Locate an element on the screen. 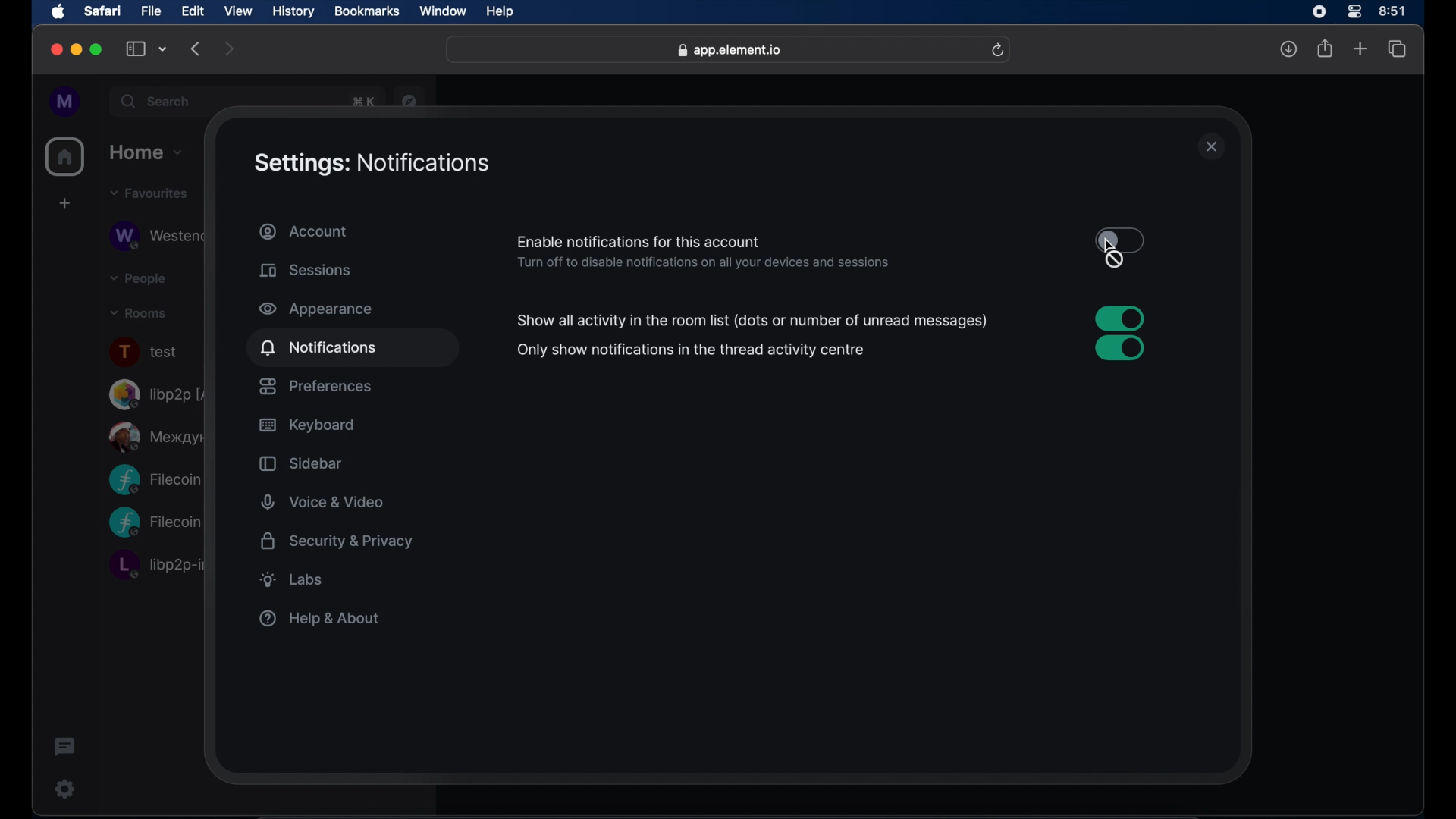 Image resolution: width=1456 pixels, height=819 pixels. test room is located at coordinates (141, 353).